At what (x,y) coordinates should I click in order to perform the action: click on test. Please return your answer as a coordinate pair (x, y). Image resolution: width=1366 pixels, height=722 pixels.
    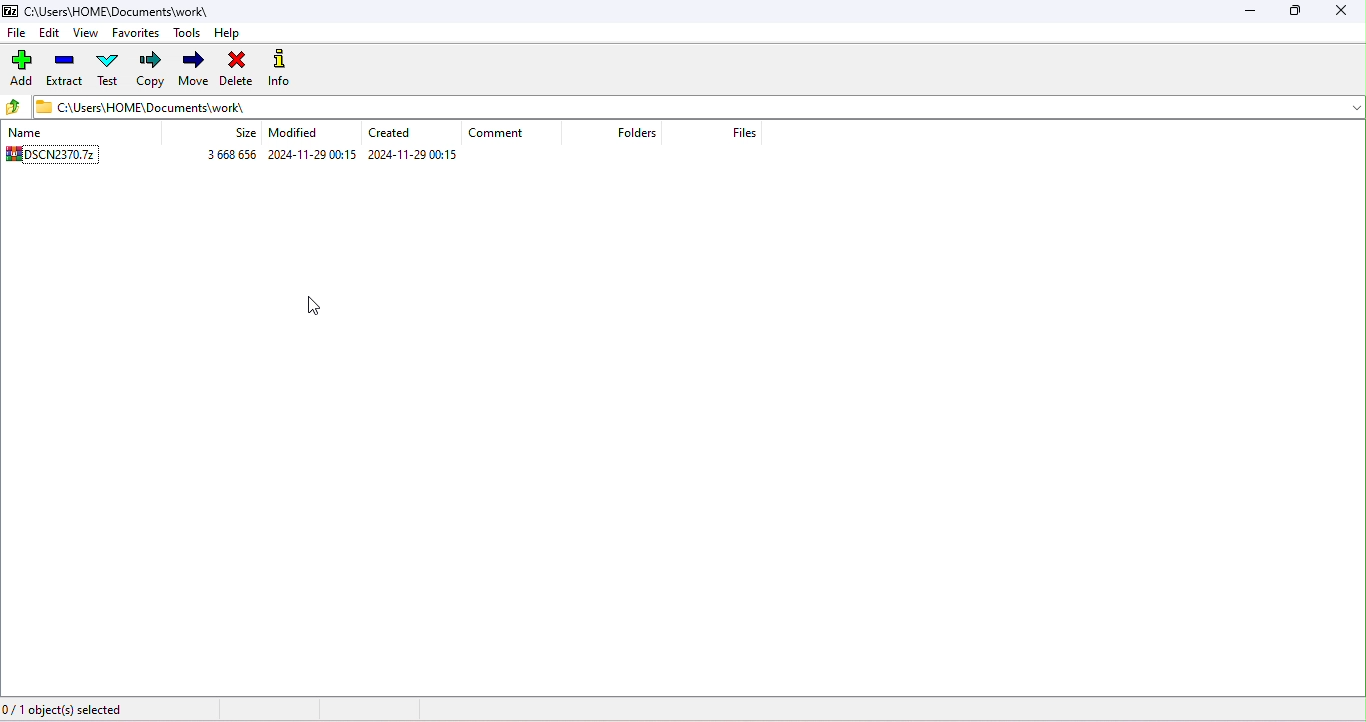
    Looking at the image, I should click on (108, 71).